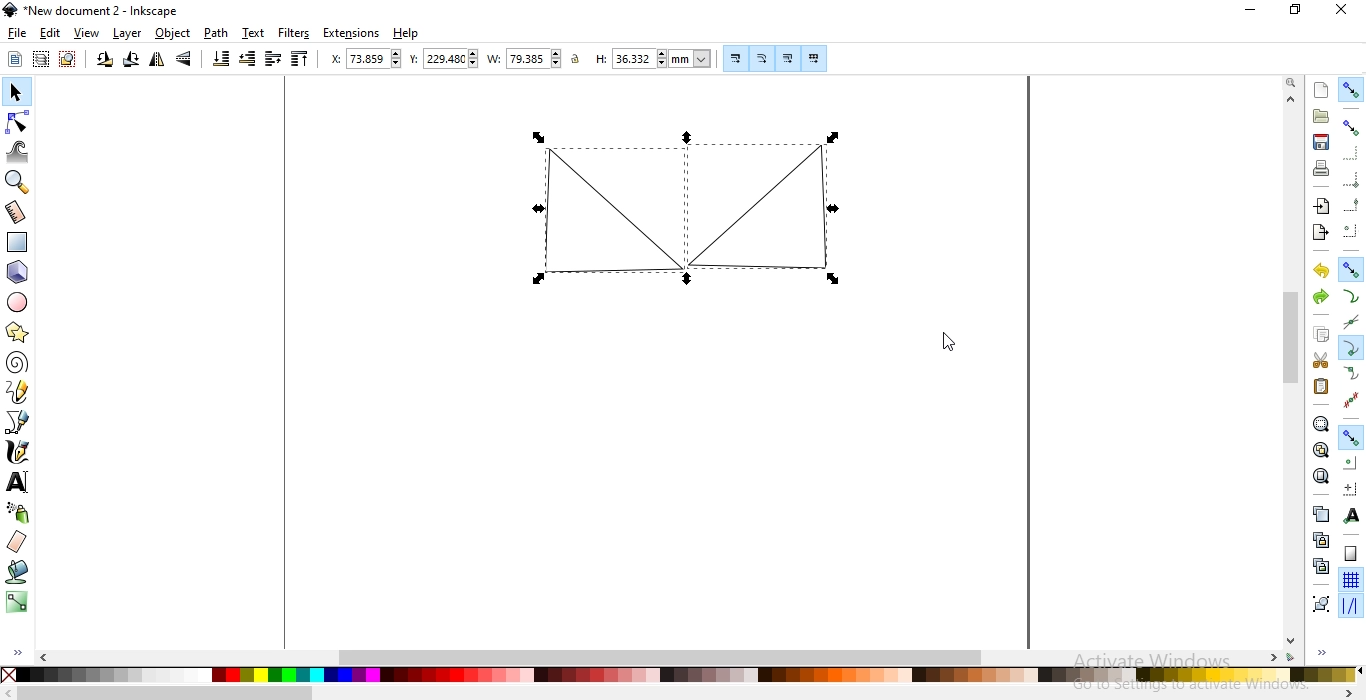  What do you see at coordinates (1352, 346) in the screenshot?
I see `snap cusp nodes incl rectangle corners` at bounding box center [1352, 346].